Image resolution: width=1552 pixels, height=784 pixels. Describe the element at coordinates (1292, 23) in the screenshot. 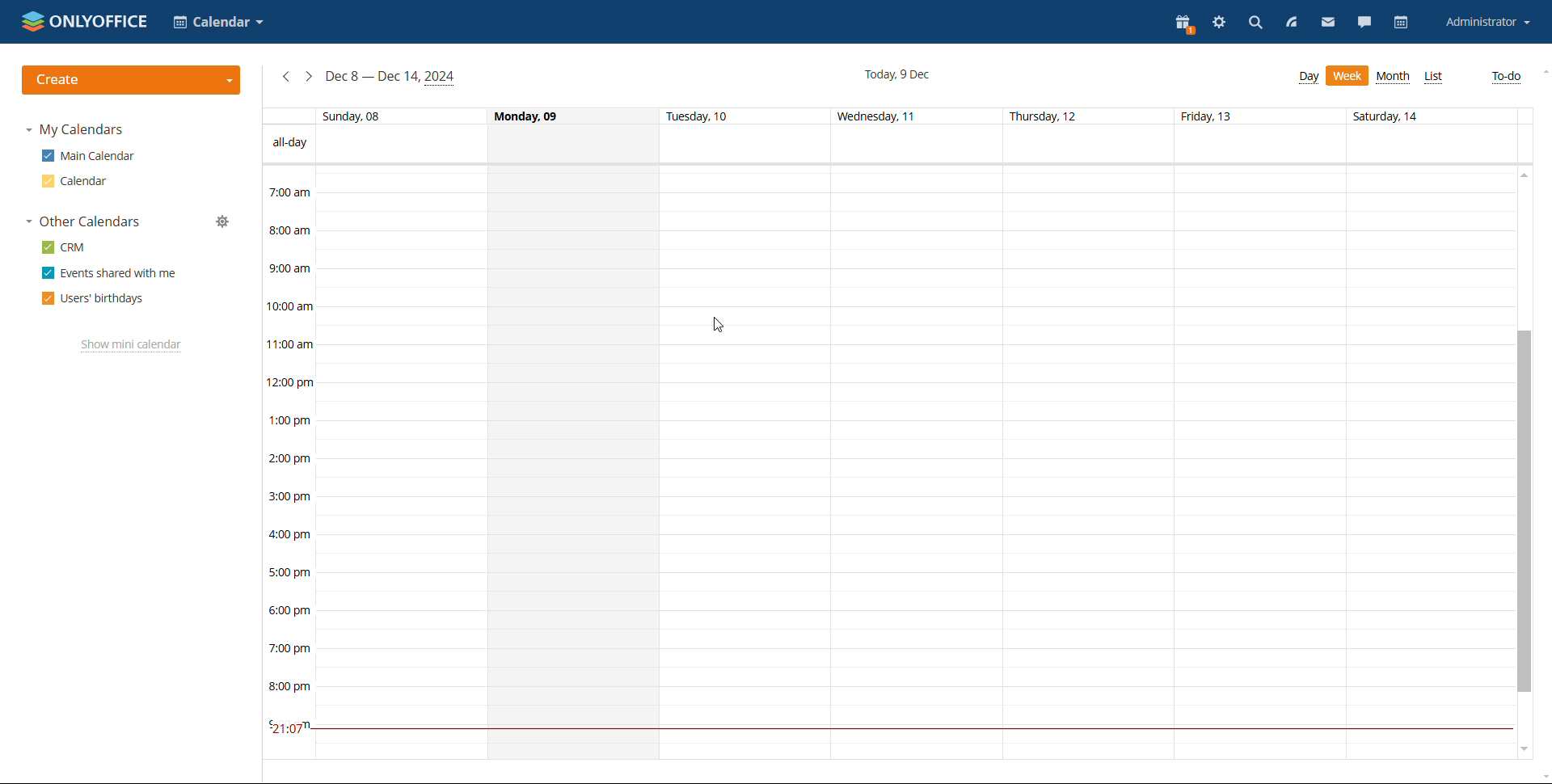

I see `feed` at that location.